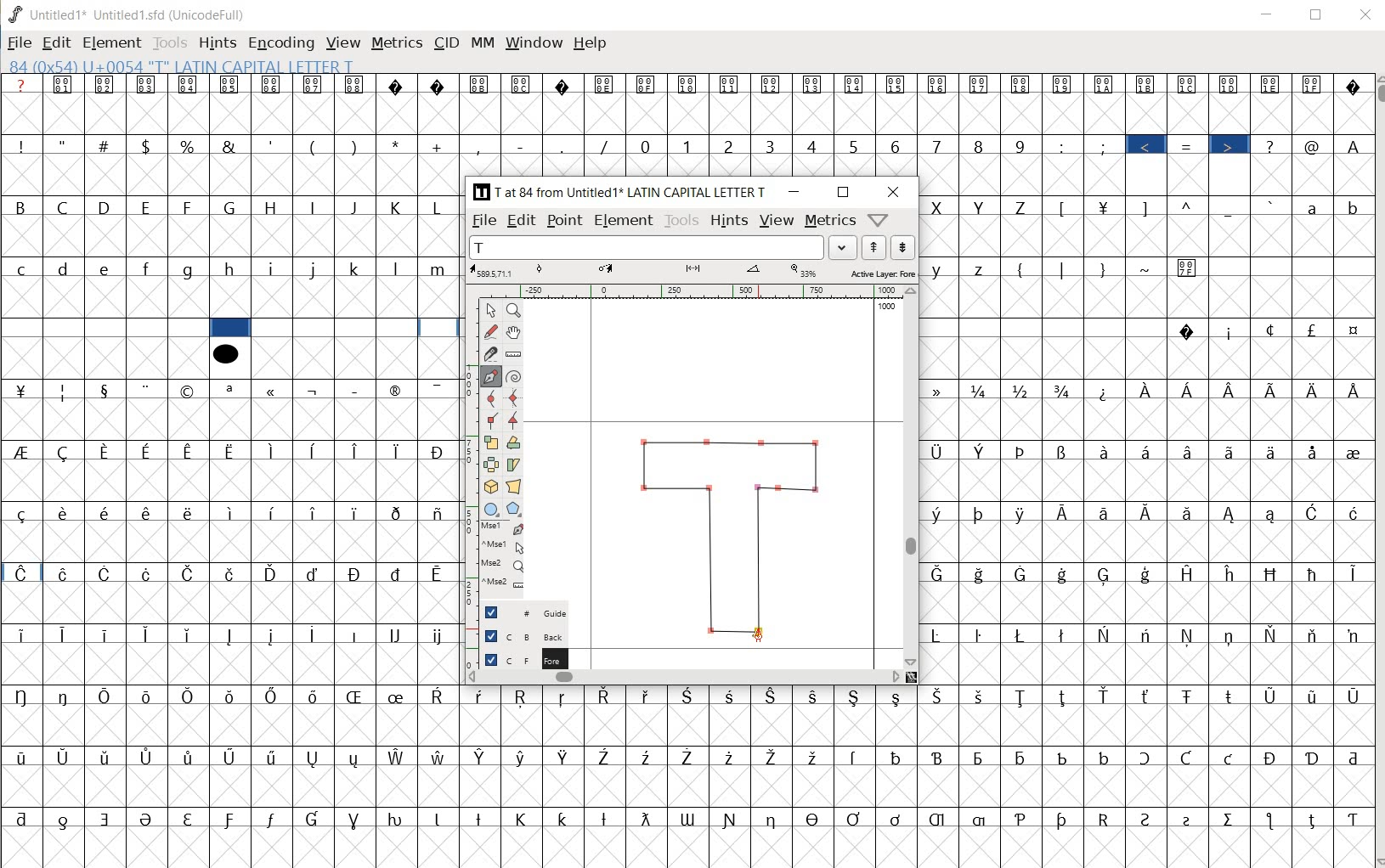 Image resolution: width=1385 pixels, height=868 pixels. What do you see at coordinates (315, 84) in the screenshot?
I see `Symbol` at bounding box center [315, 84].